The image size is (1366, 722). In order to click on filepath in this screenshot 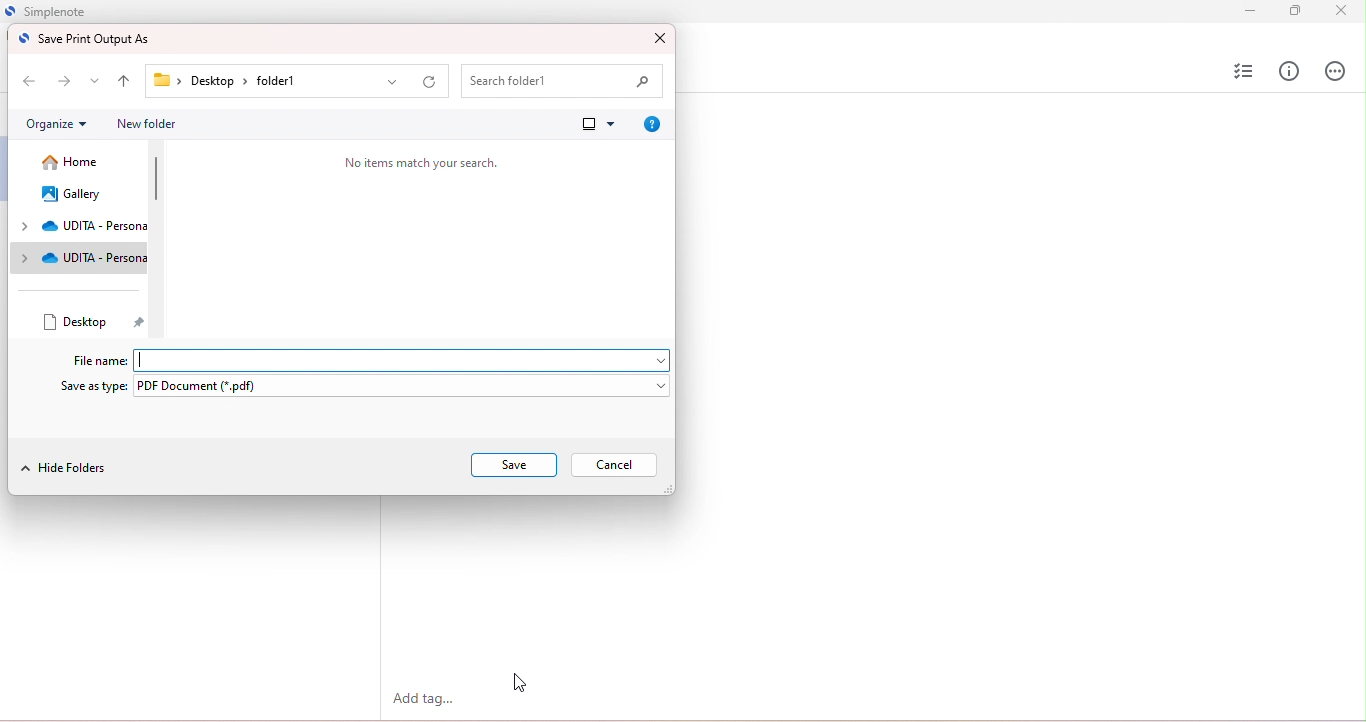, I will do `click(235, 82)`.